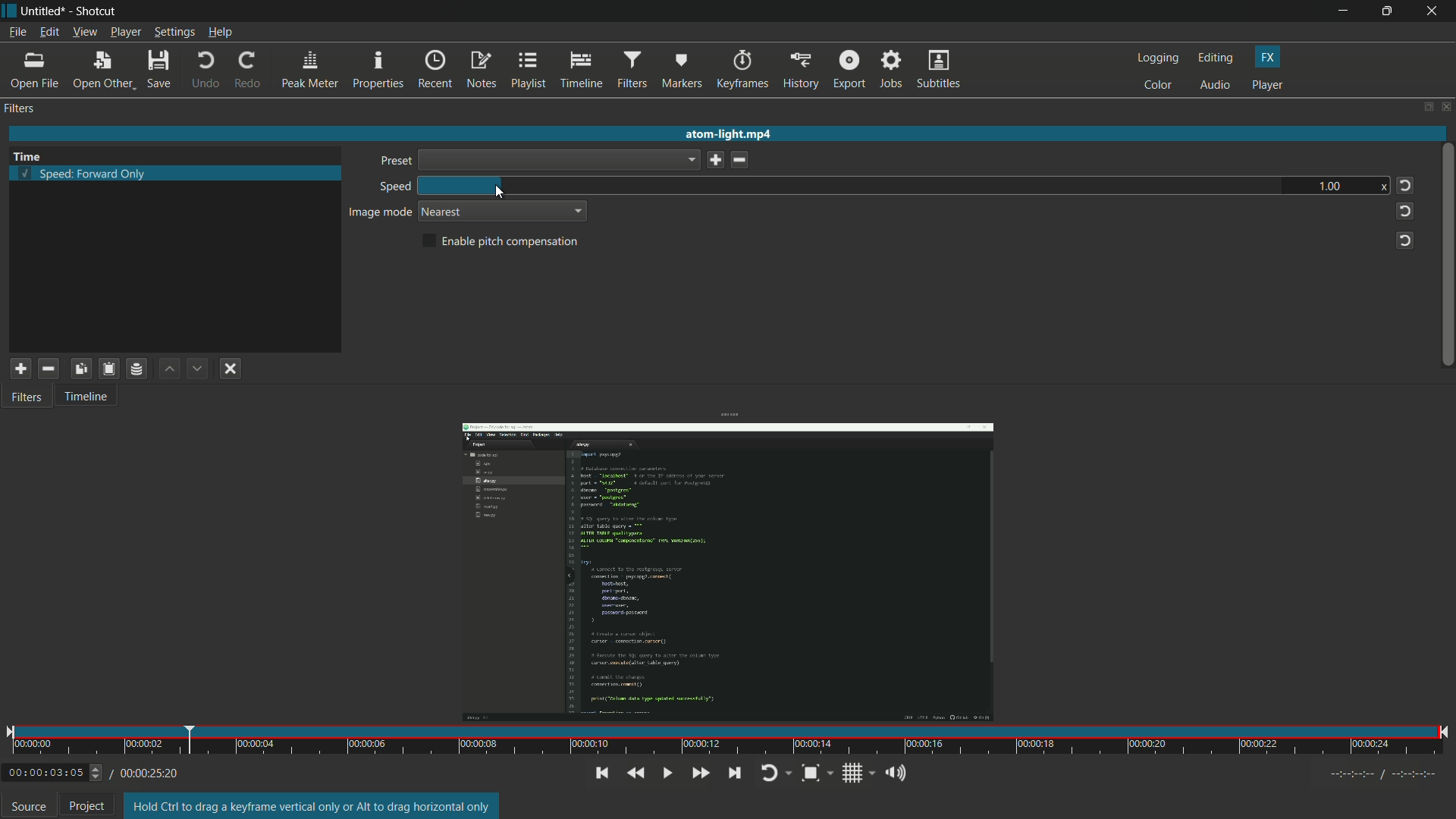  What do you see at coordinates (893, 70) in the screenshot?
I see `jobs` at bounding box center [893, 70].